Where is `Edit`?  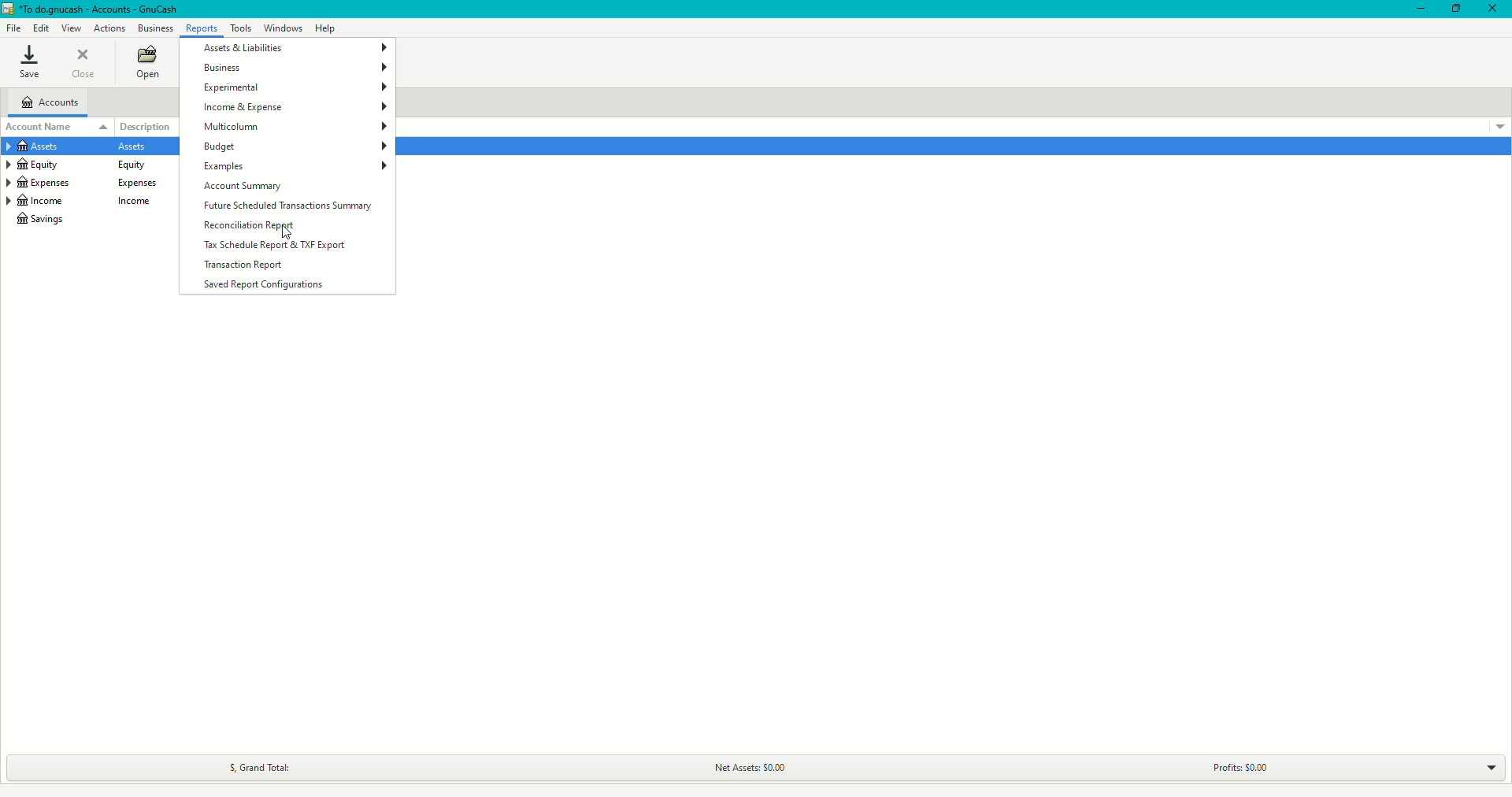
Edit is located at coordinates (43, 27).